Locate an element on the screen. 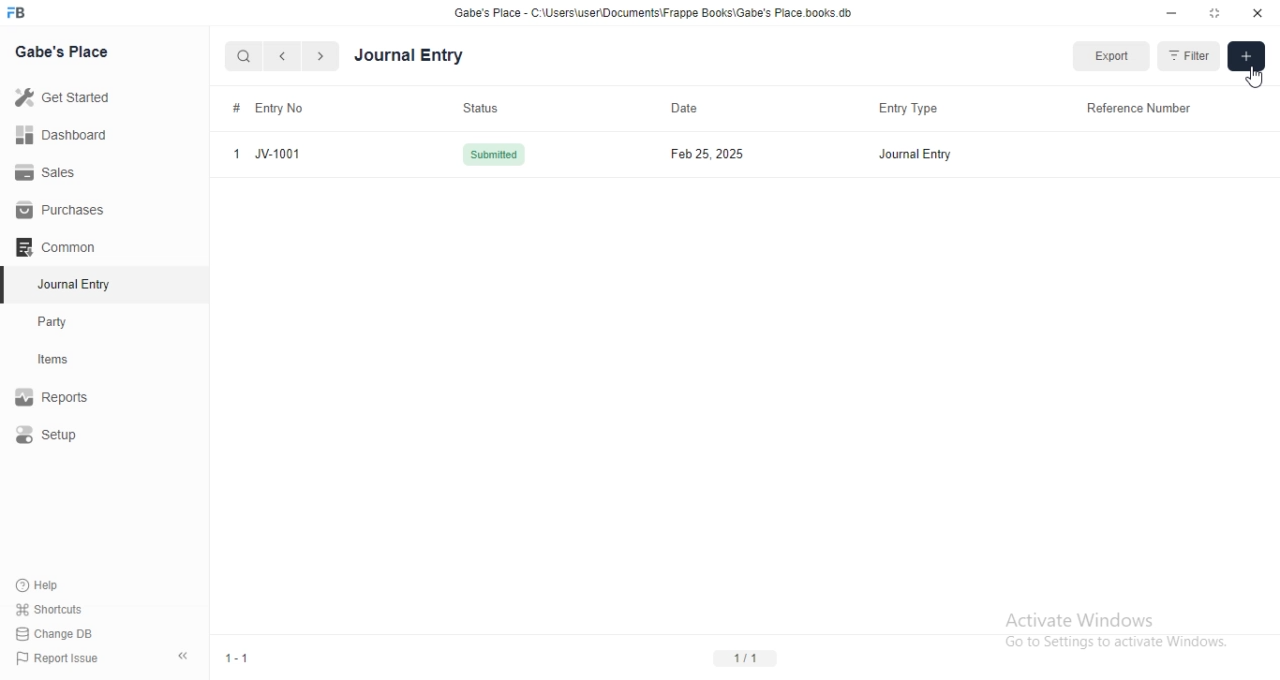 Image resolution: width=1280 pixels, height=680 pixels. selected is located at coordinates (8, 286).